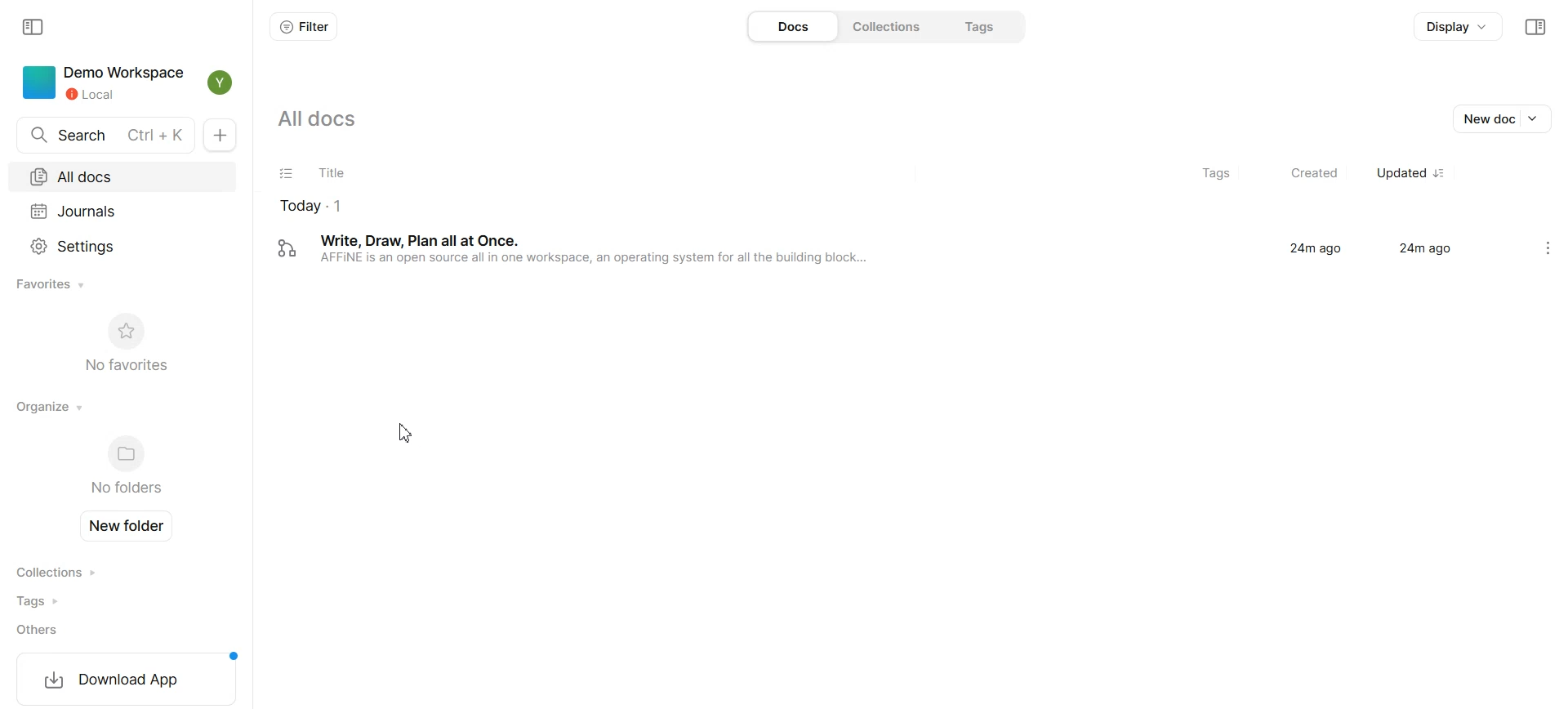 The image size is (1568, 709). Describe the element at coordinates (1207, 173) in the screenshot. I see `Tags` at that location.